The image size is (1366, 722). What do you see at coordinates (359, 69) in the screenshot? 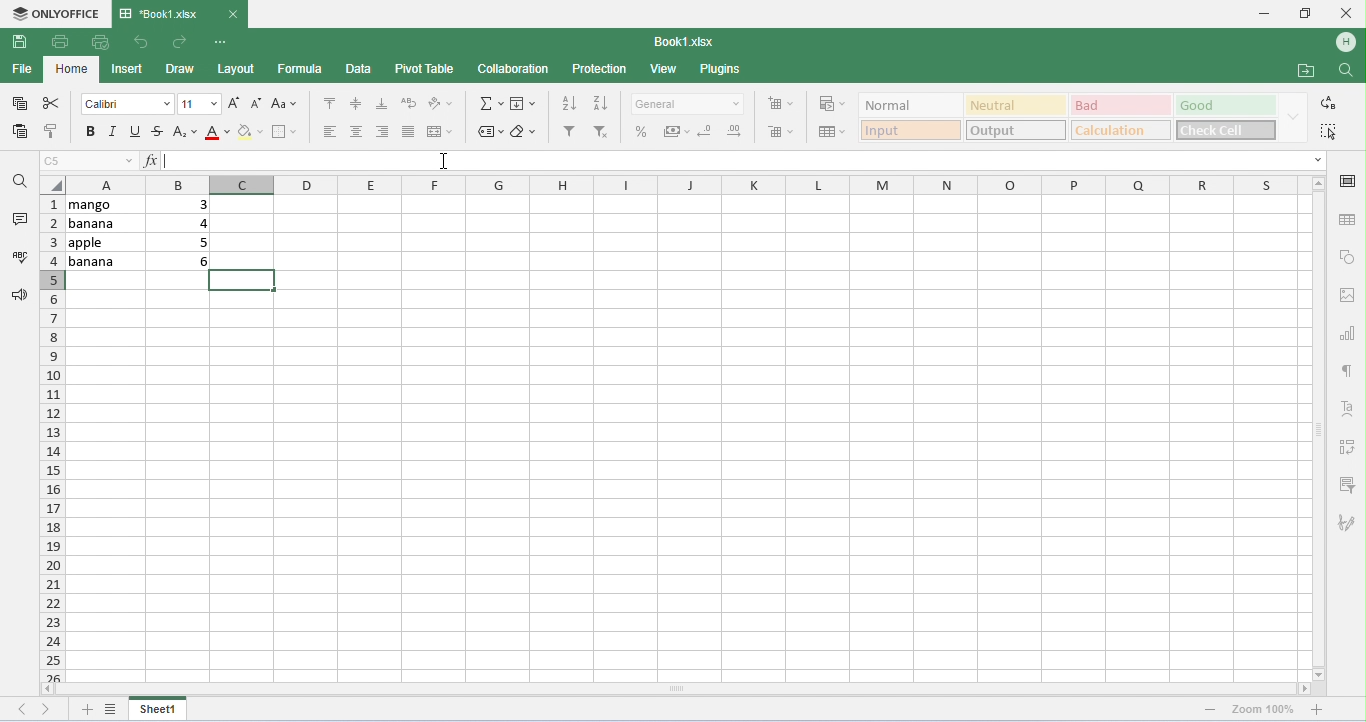
I see `data` at bounding box center [359, 69].